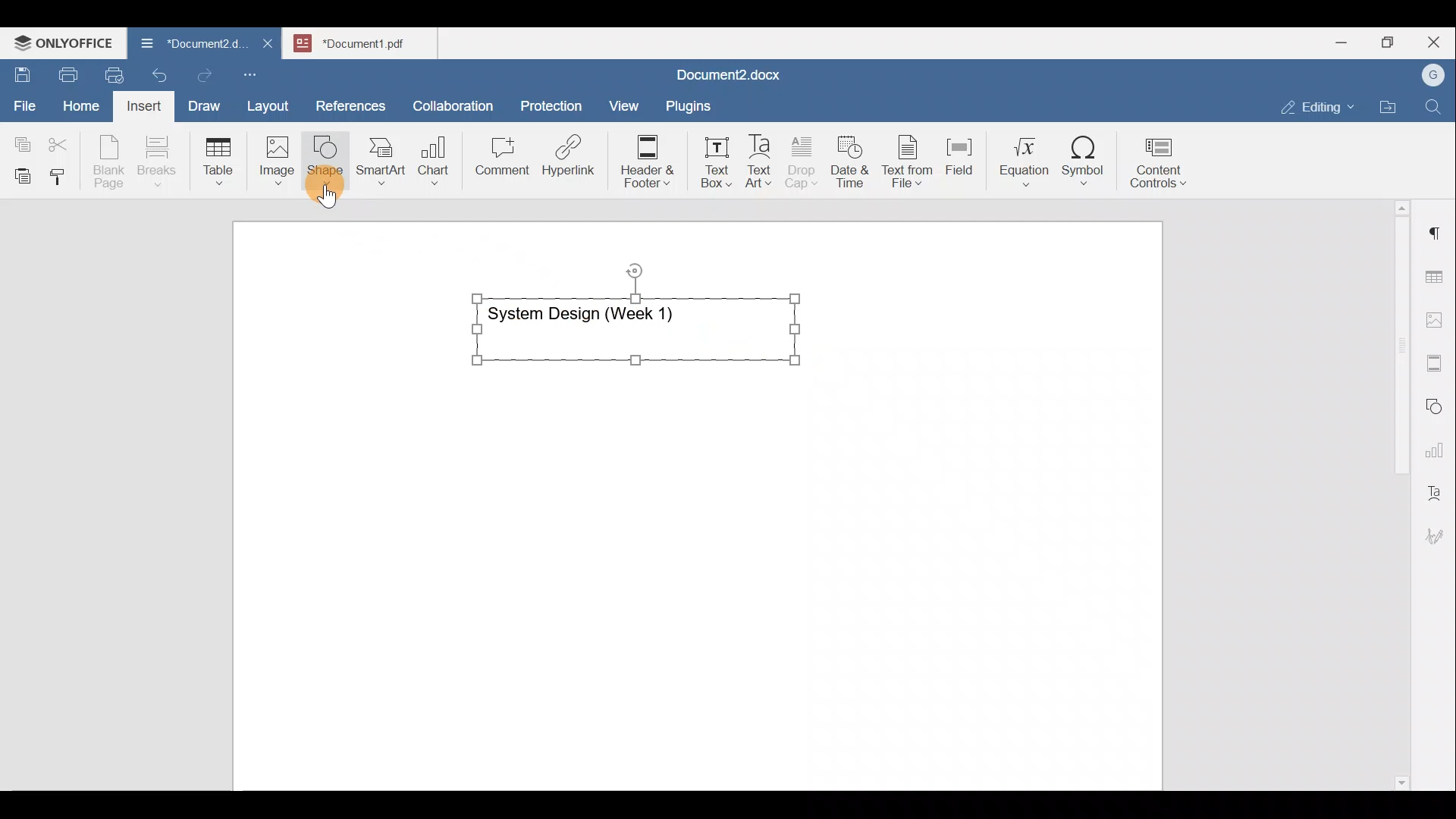  What do you see at coordinates (202, 102) in the screenshot?
I see `Draw` at bounding box center [202, 102].